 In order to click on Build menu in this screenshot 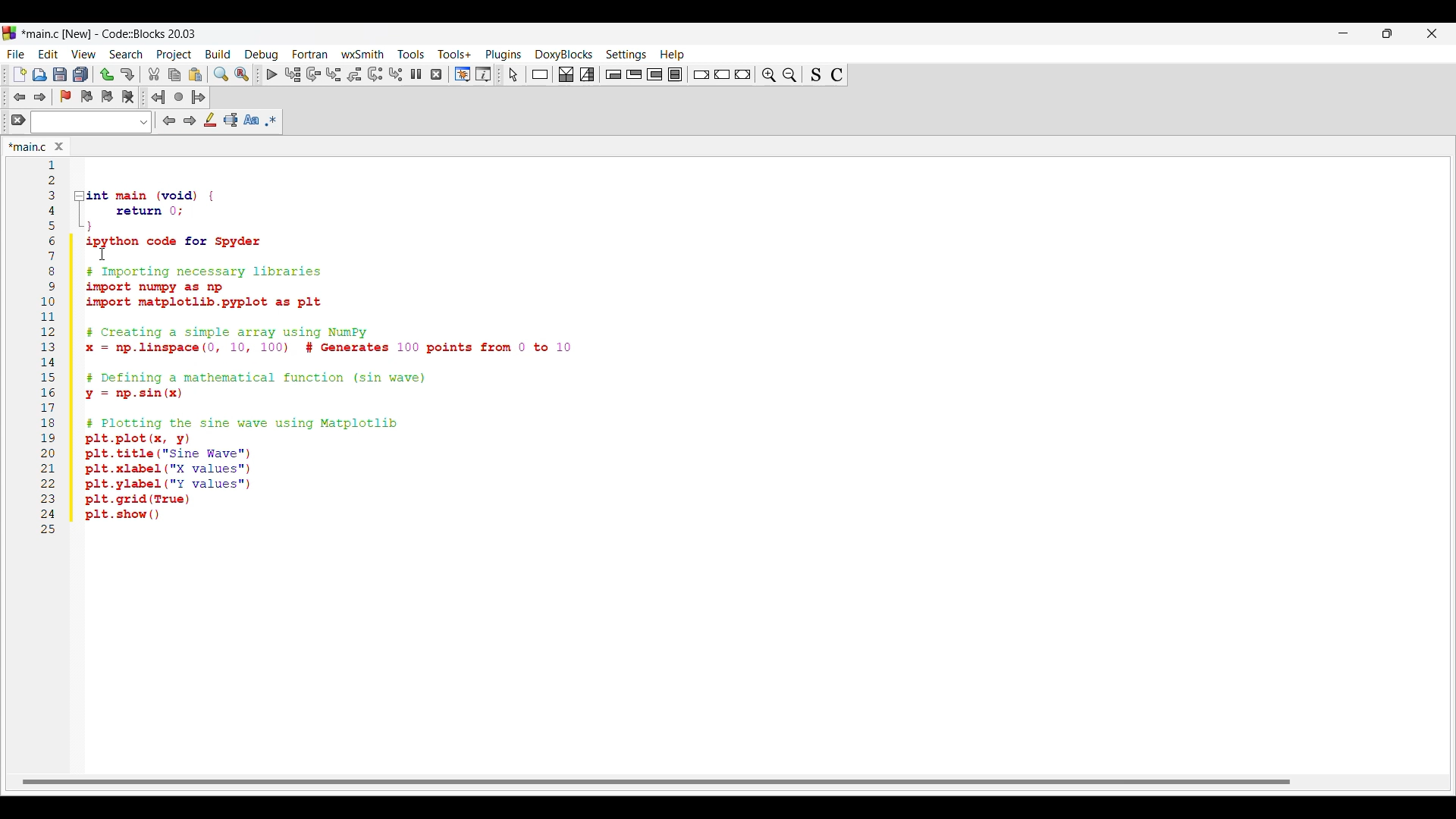, I will do `click(218, 54)`.